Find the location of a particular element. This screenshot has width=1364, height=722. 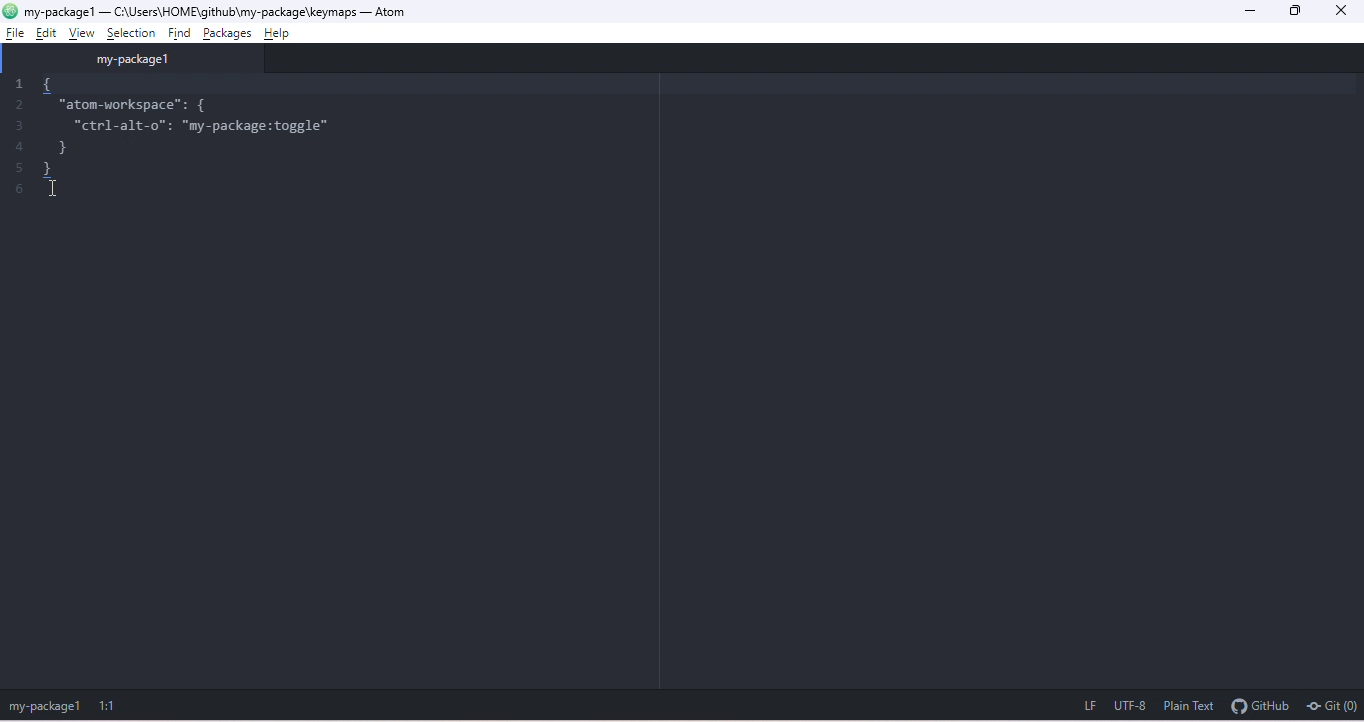

find is located at coordinates (181, 34).